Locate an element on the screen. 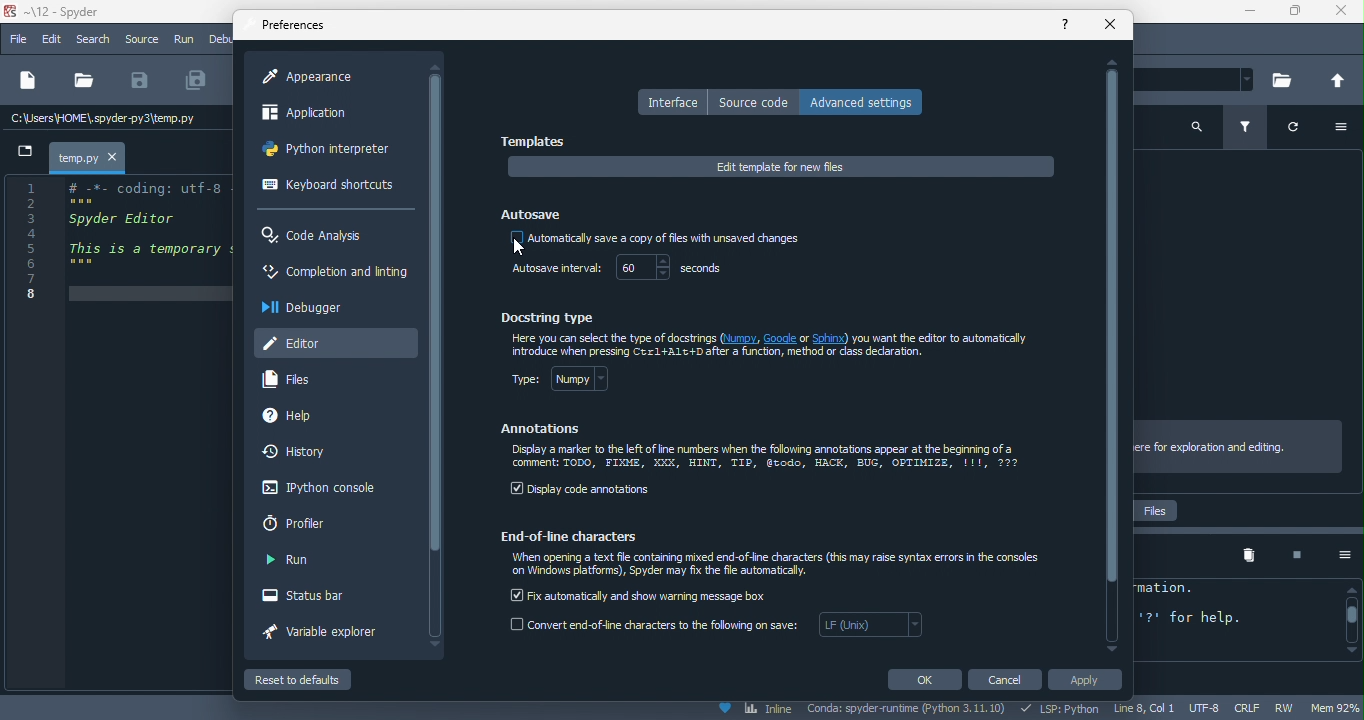 This screenshot has width=1364, height=720. 60 sec is located at coordinates (676, 269).